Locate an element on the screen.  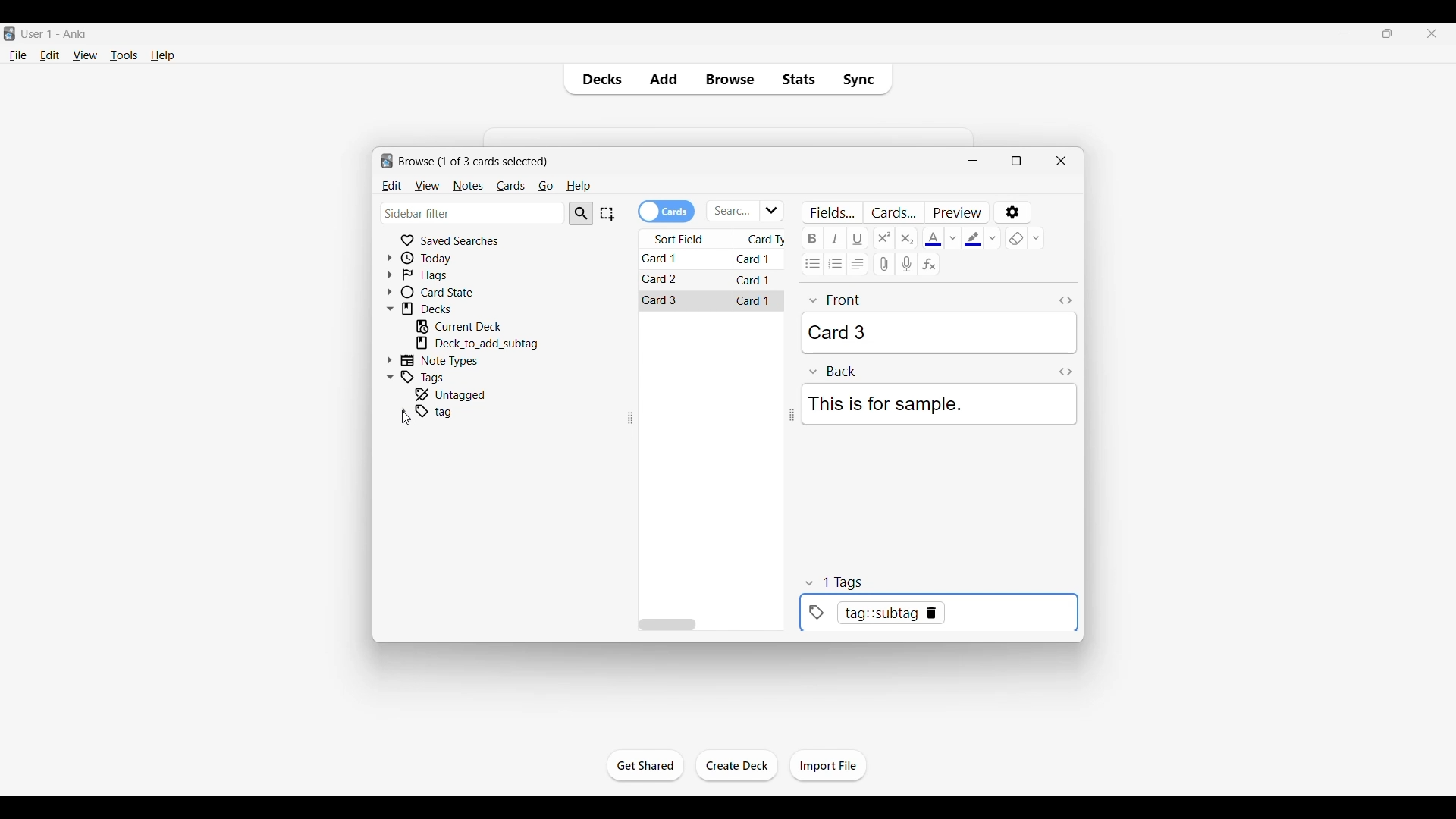
front is located at coordinates (836, 300).